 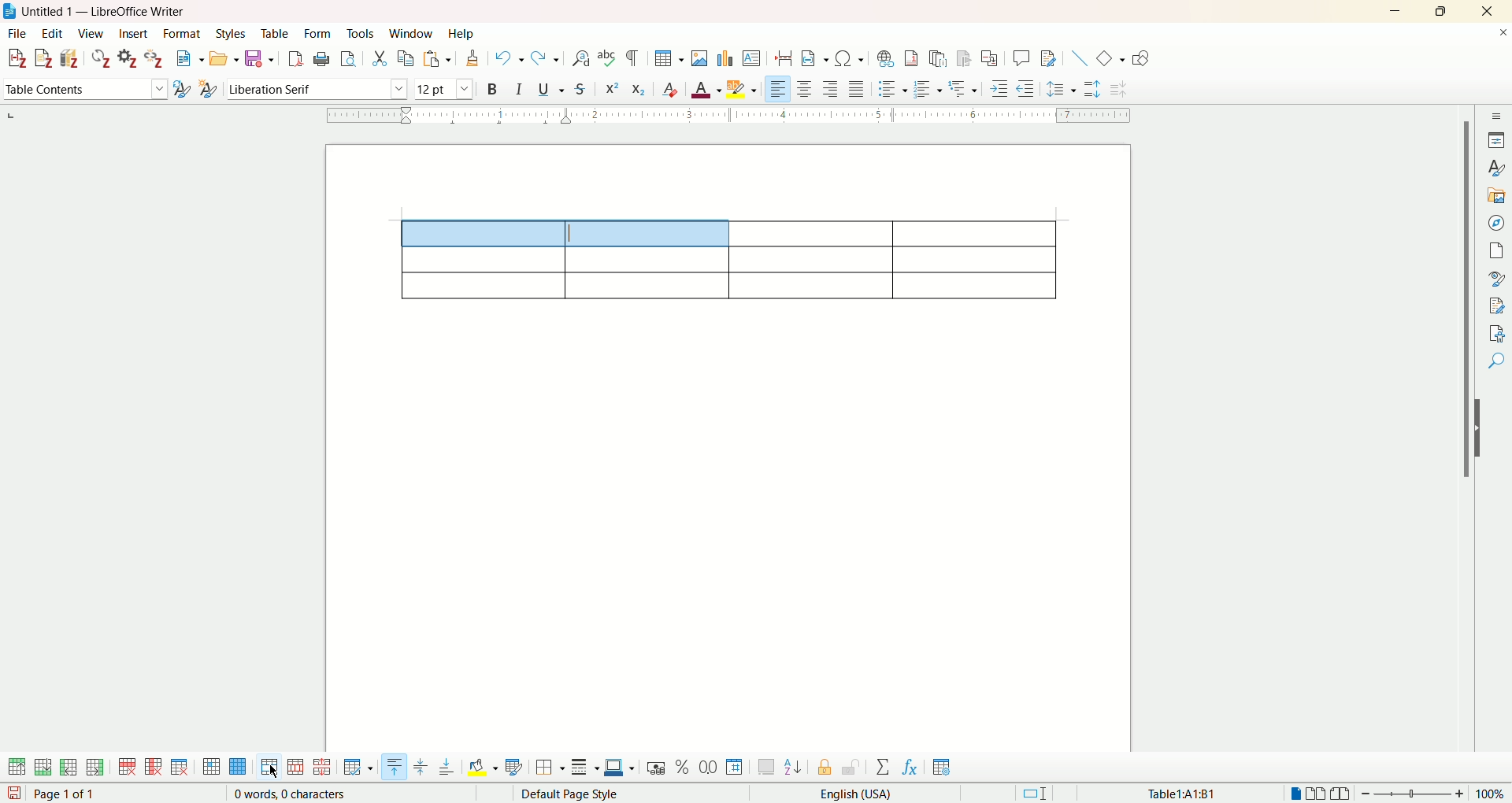 I want to click on insert line, so click(x=1080, y=58).